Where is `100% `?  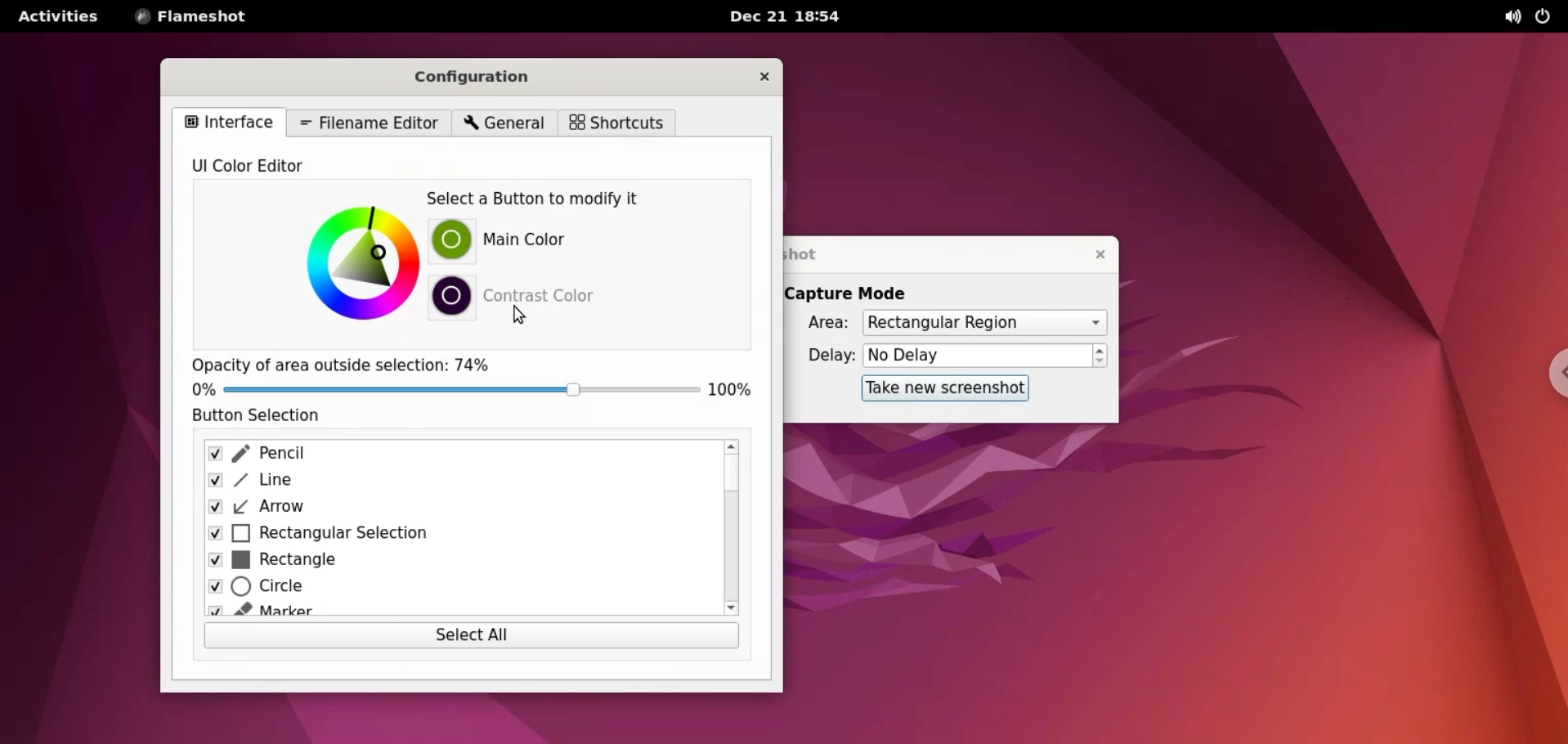
100%  is located at coordinates (733, 390).